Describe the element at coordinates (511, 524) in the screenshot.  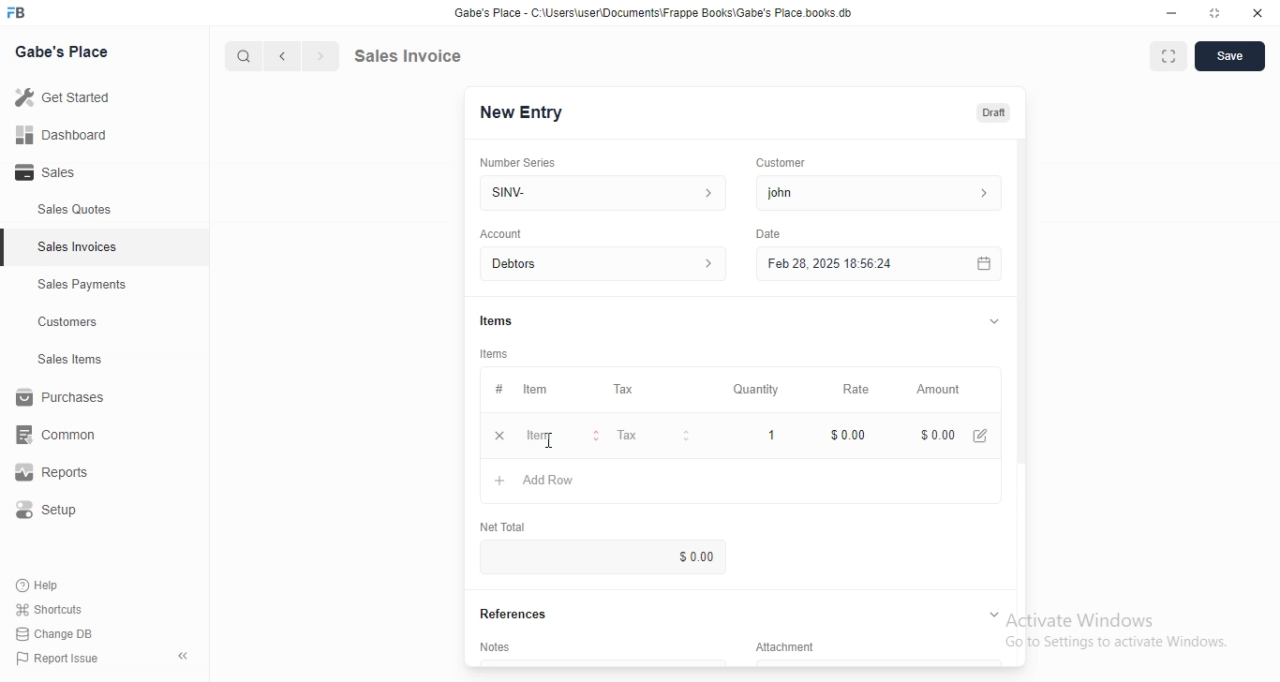
I see `‘Net Total` at that location.